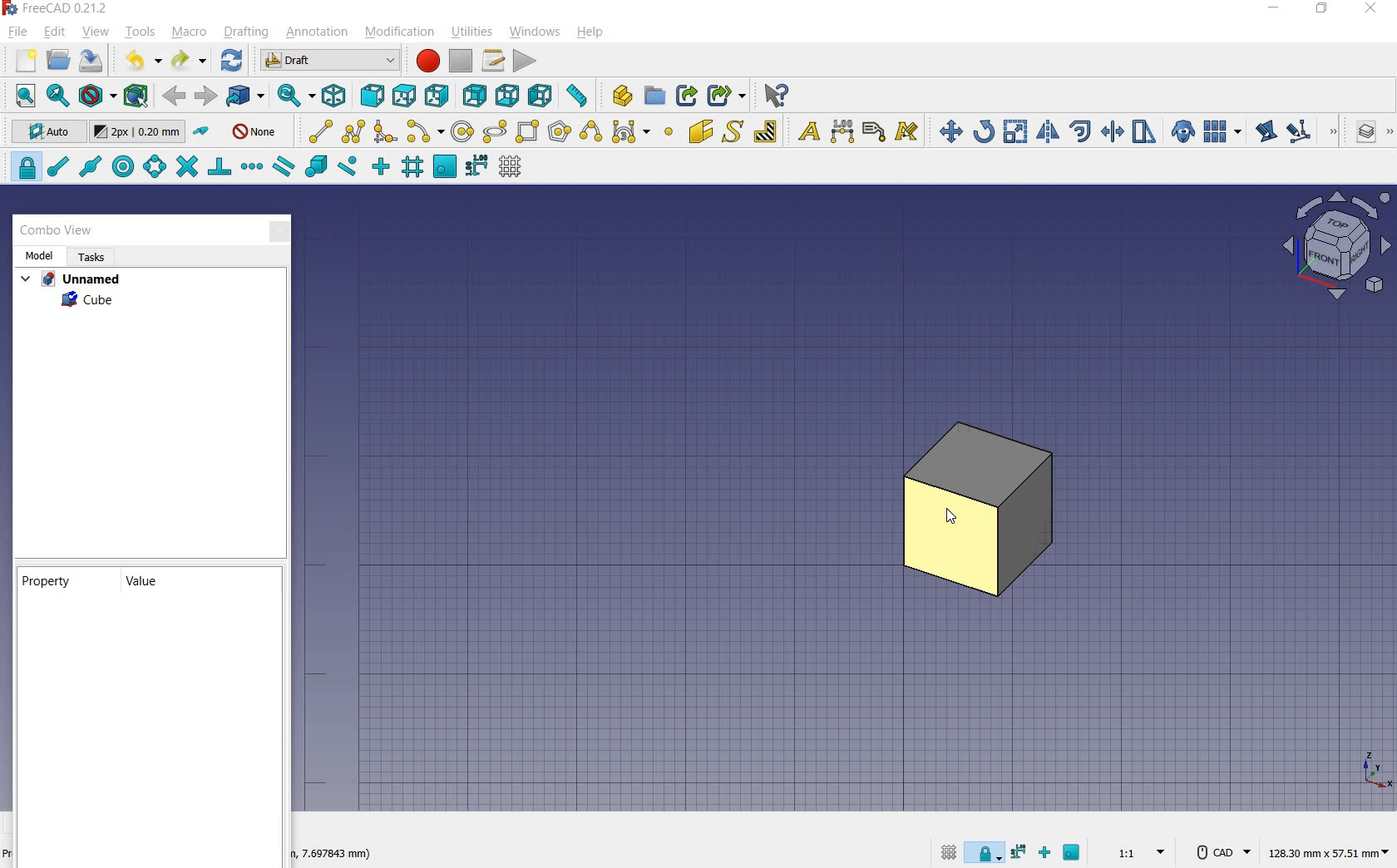 This screenshot has height=868, width=1397. What do you see at coordinates (874, 131) in the screenshot?
I see `label` at bounding box center [874, 131].